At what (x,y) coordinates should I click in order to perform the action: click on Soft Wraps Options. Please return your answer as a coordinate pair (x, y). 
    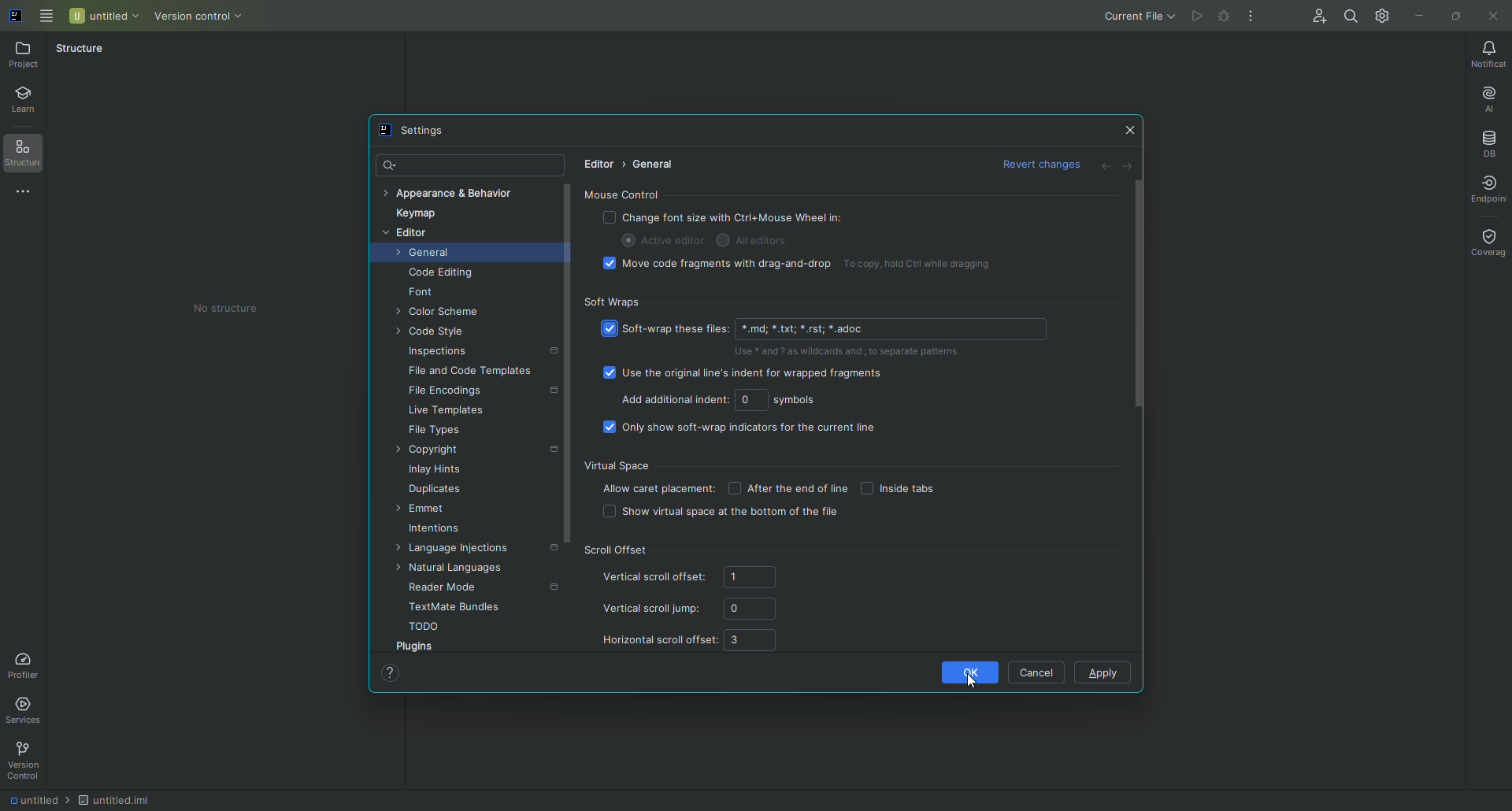
    Looking at the image, I should click on (821, 366).